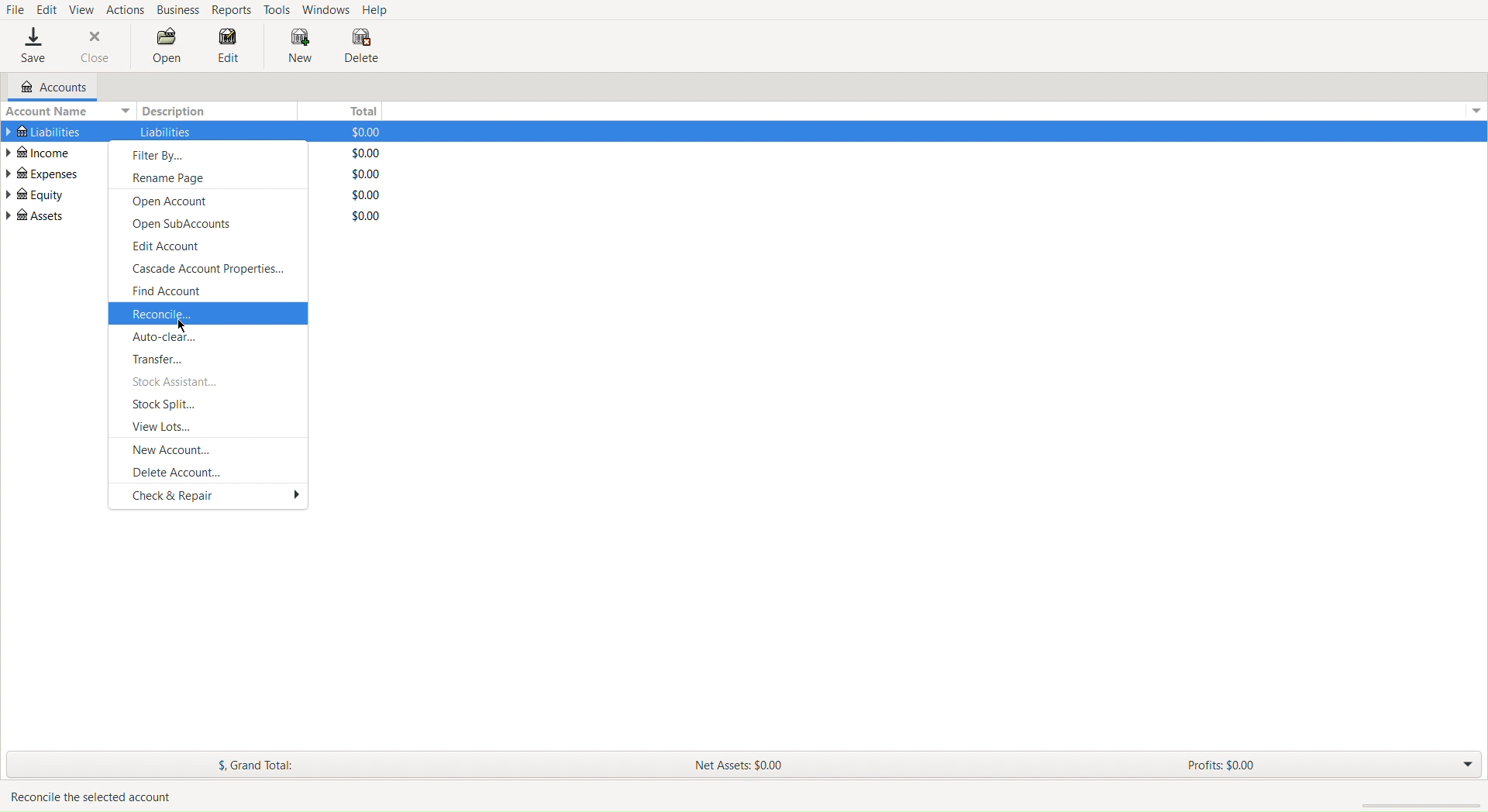  Describe the element at coordinates (253, 765) in the screenshot. I see `Grand Total` at that location.